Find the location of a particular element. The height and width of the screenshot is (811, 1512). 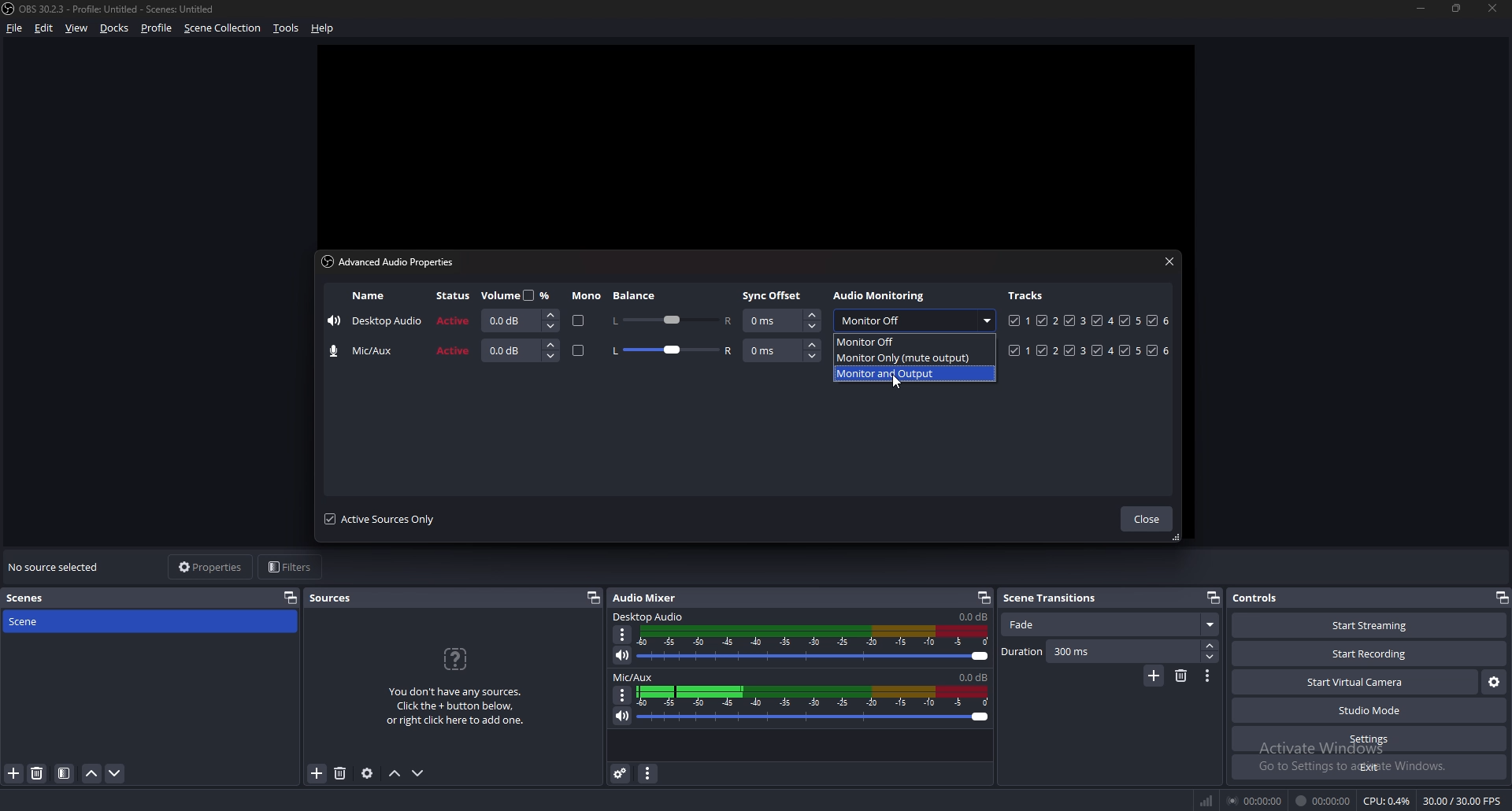

edit is located at coordinates (43, 28).